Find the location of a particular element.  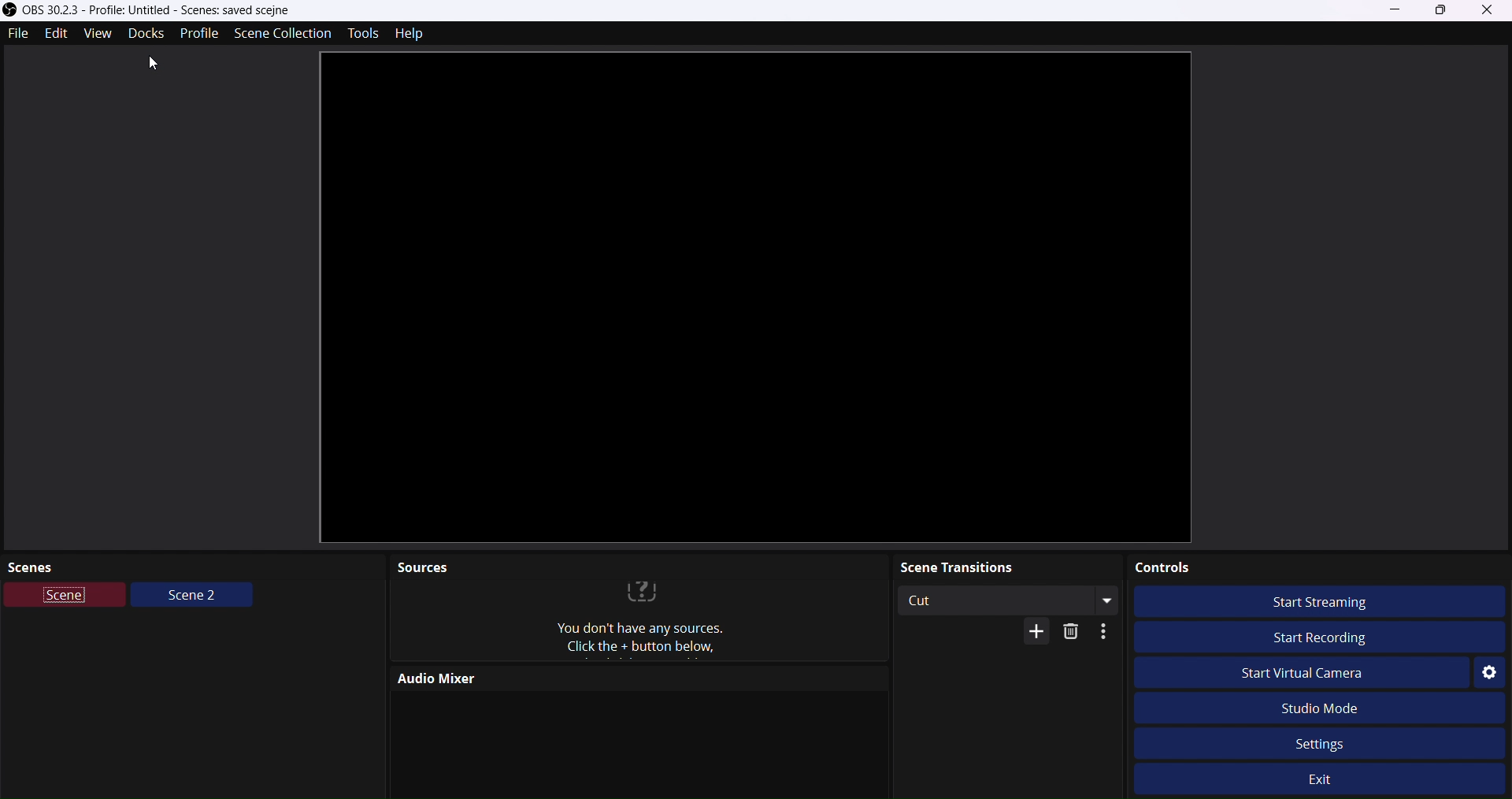

Start Recording is located at coordinates (1314, 634).